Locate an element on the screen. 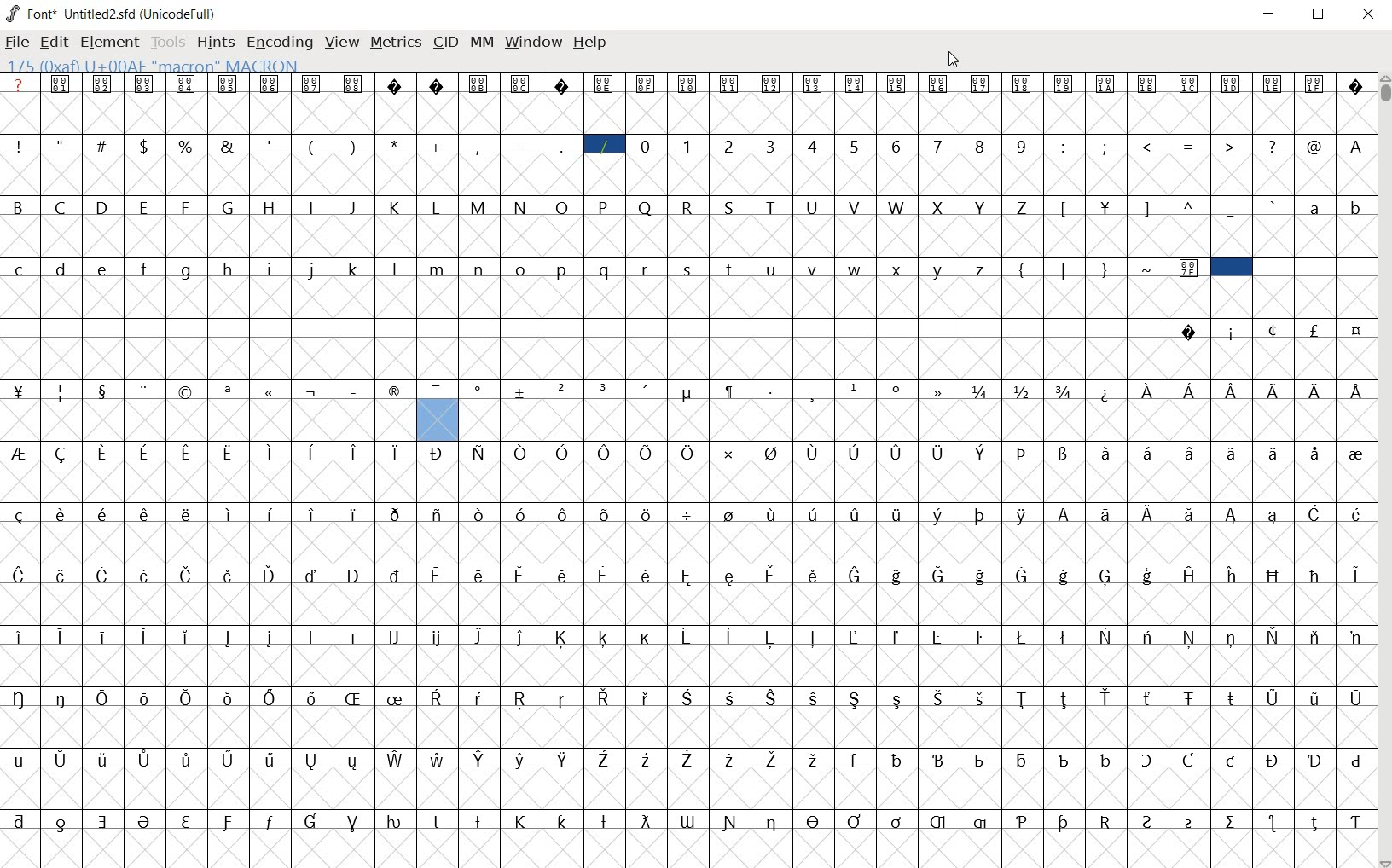 The image size is (1392, 868). Symbol is located at coordinates (439, 391).